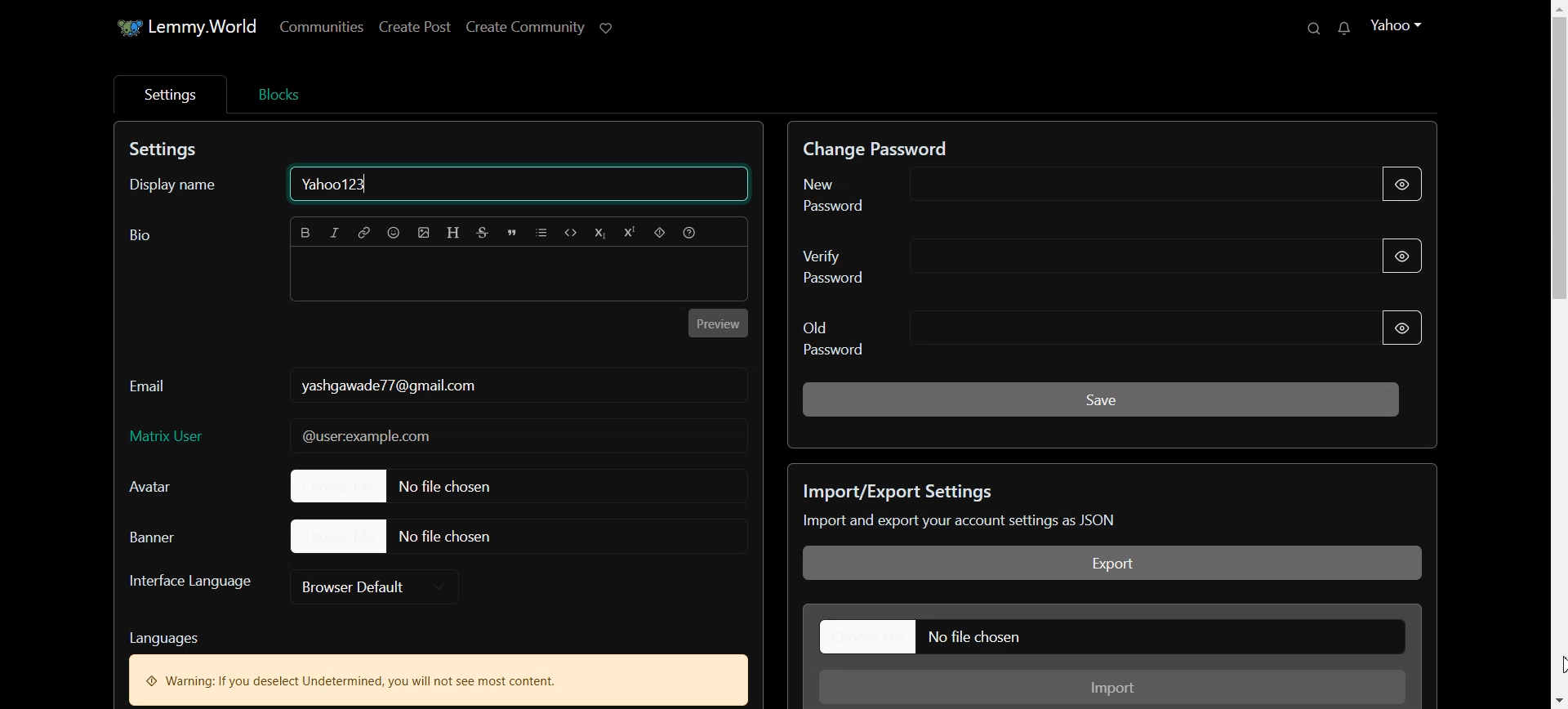  Describe the element at coordinates (1101, 398) in the screenshot. I see `Save` at that location.